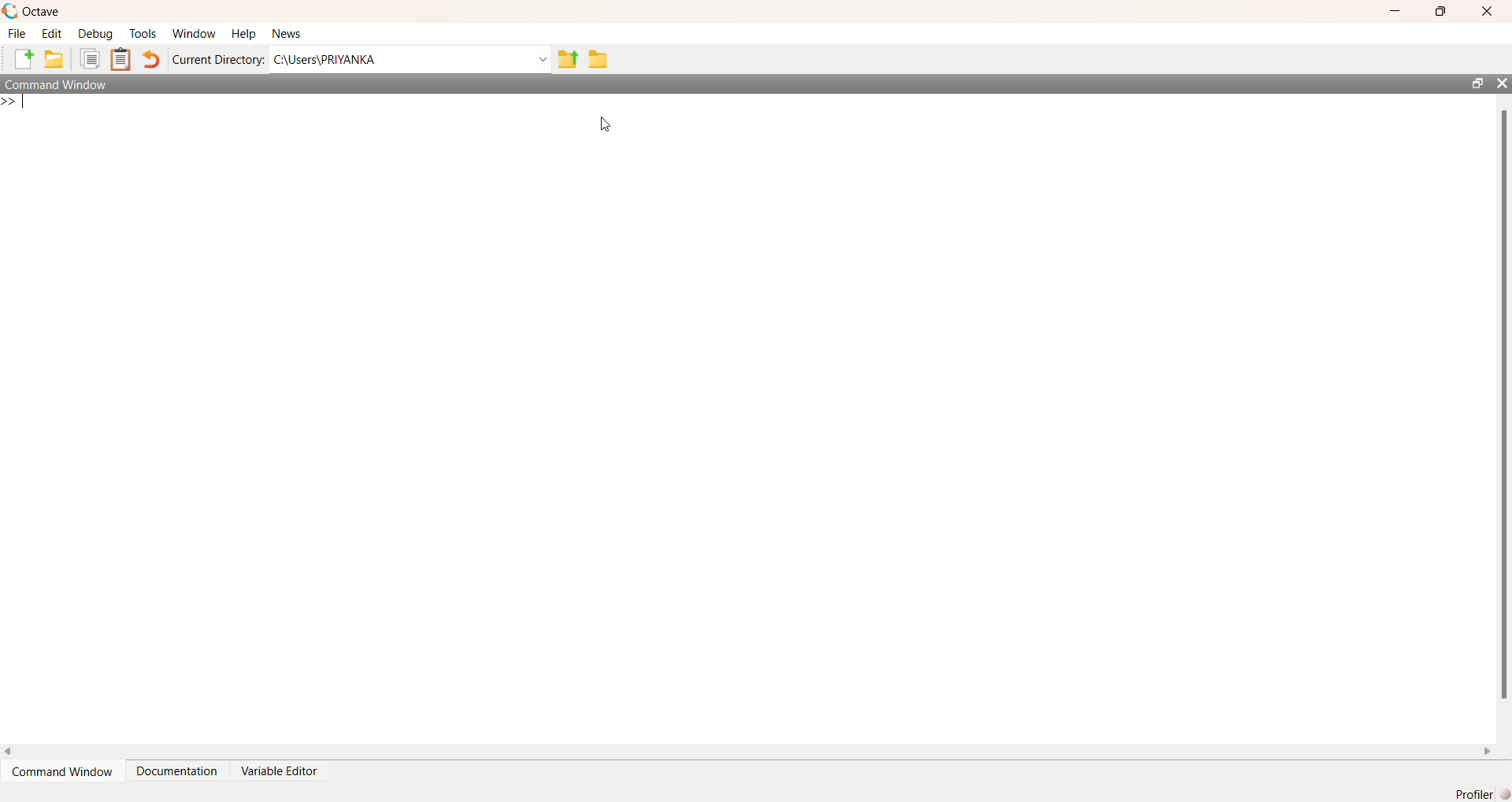  I want to click on folder, so click(53, 58).